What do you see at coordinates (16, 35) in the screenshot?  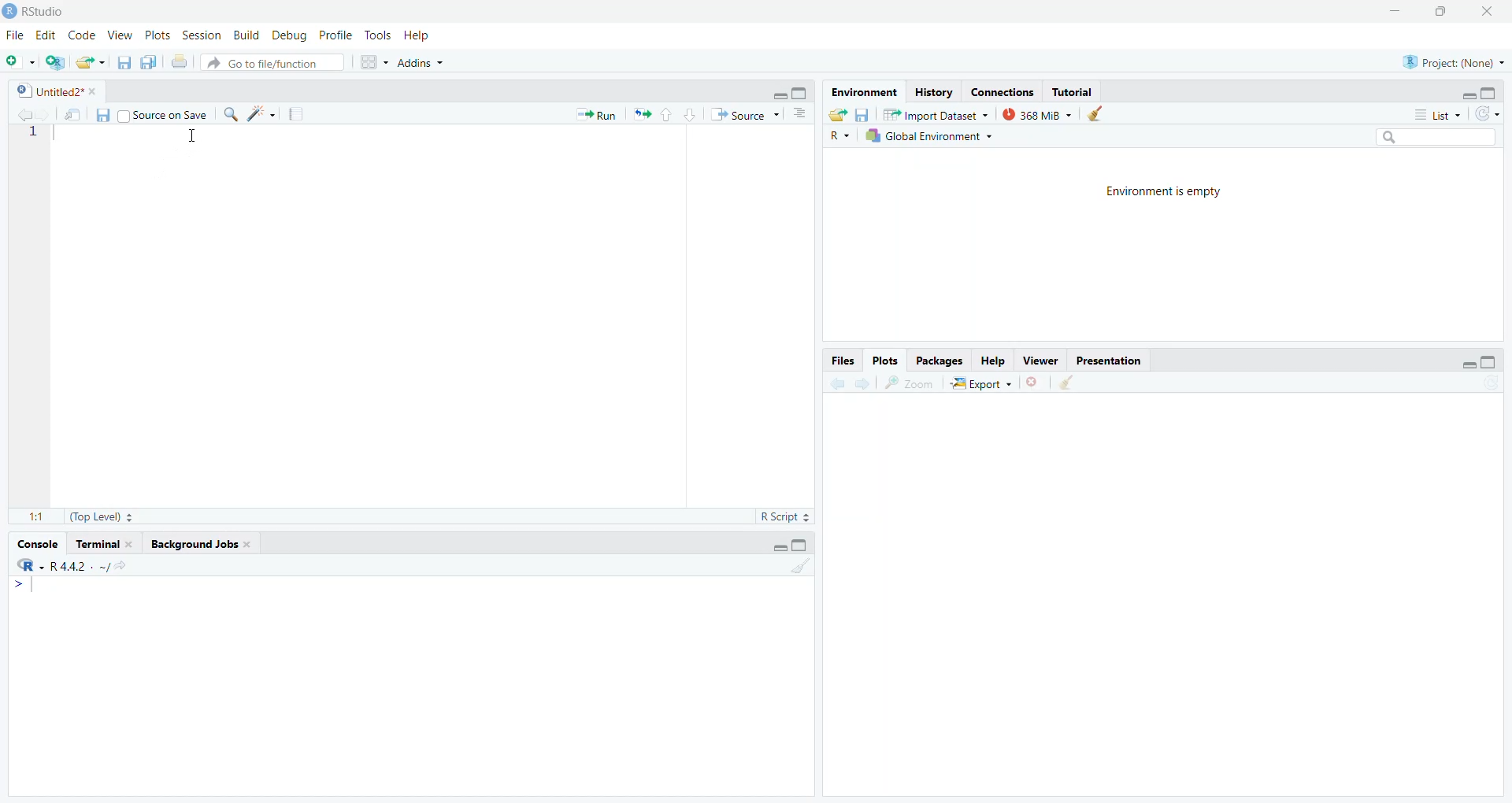 I see `File` at bounding box center [16, 35].